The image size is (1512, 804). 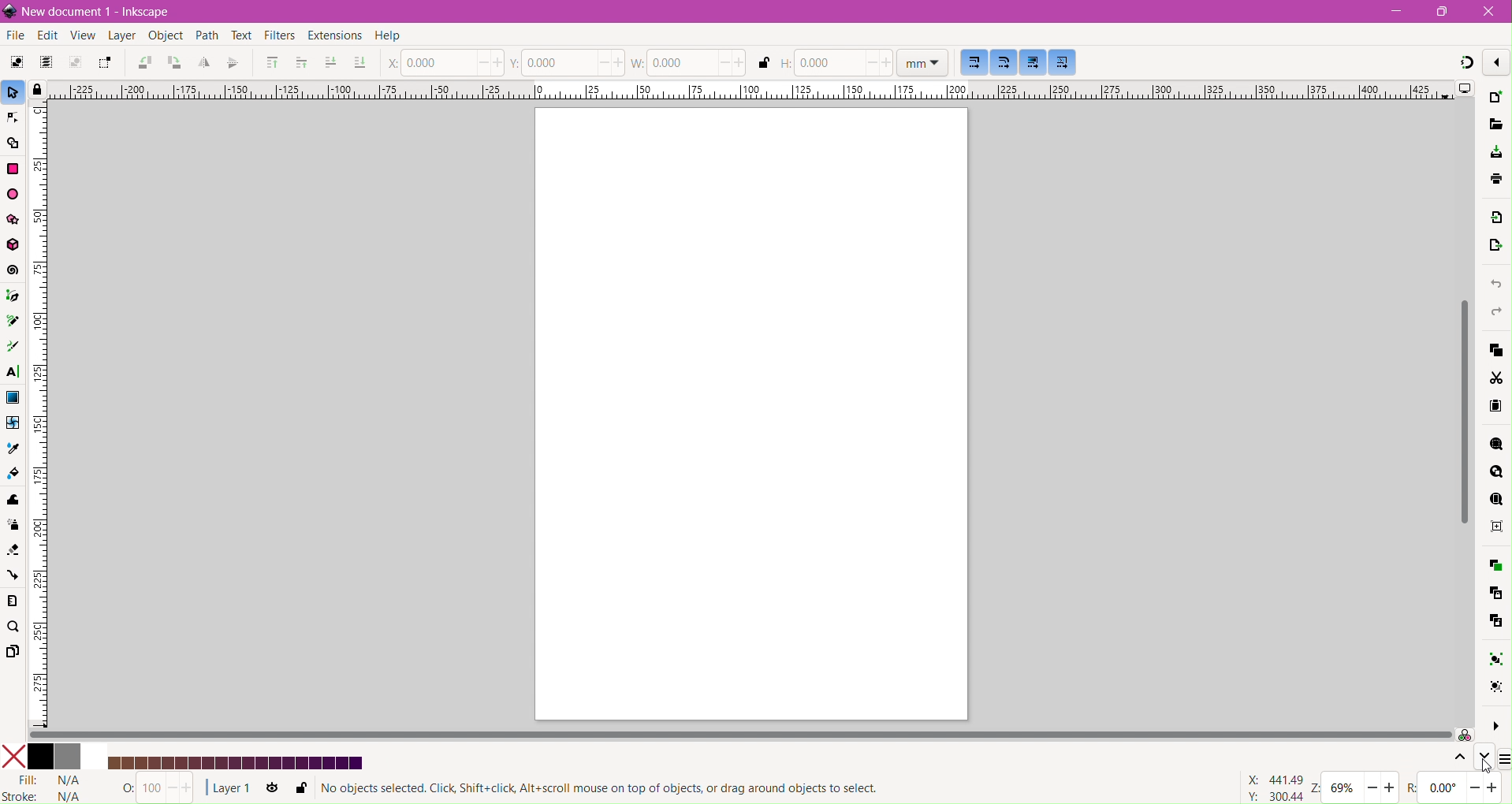 What do you see at coordinates (330, 61) in the screenshot?
I see `Lower` at bounding box center [330, 61].